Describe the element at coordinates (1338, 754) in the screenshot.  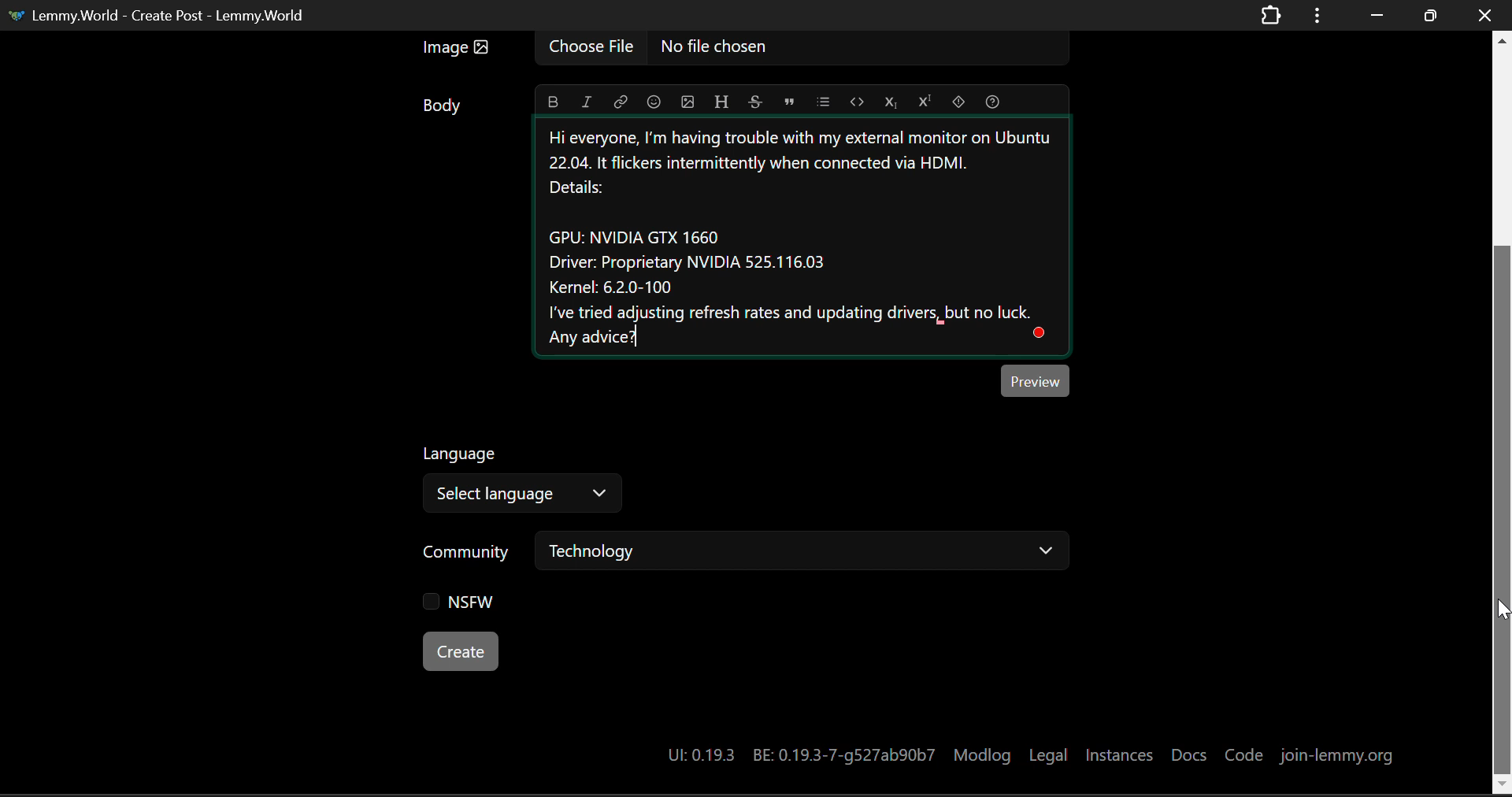
I see `join-lemmy.org` at that location.